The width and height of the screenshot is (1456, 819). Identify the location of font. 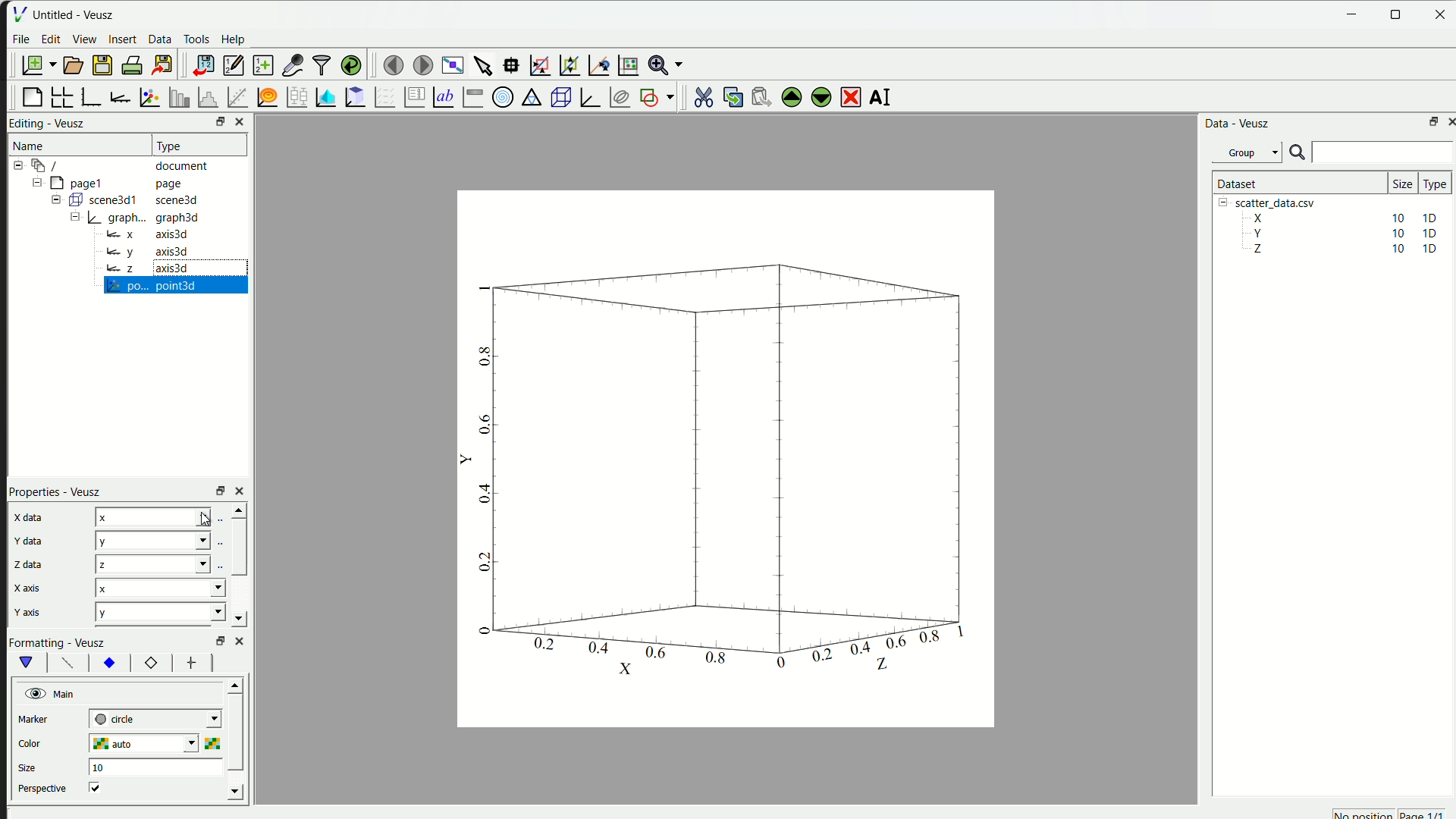
(65, 663).